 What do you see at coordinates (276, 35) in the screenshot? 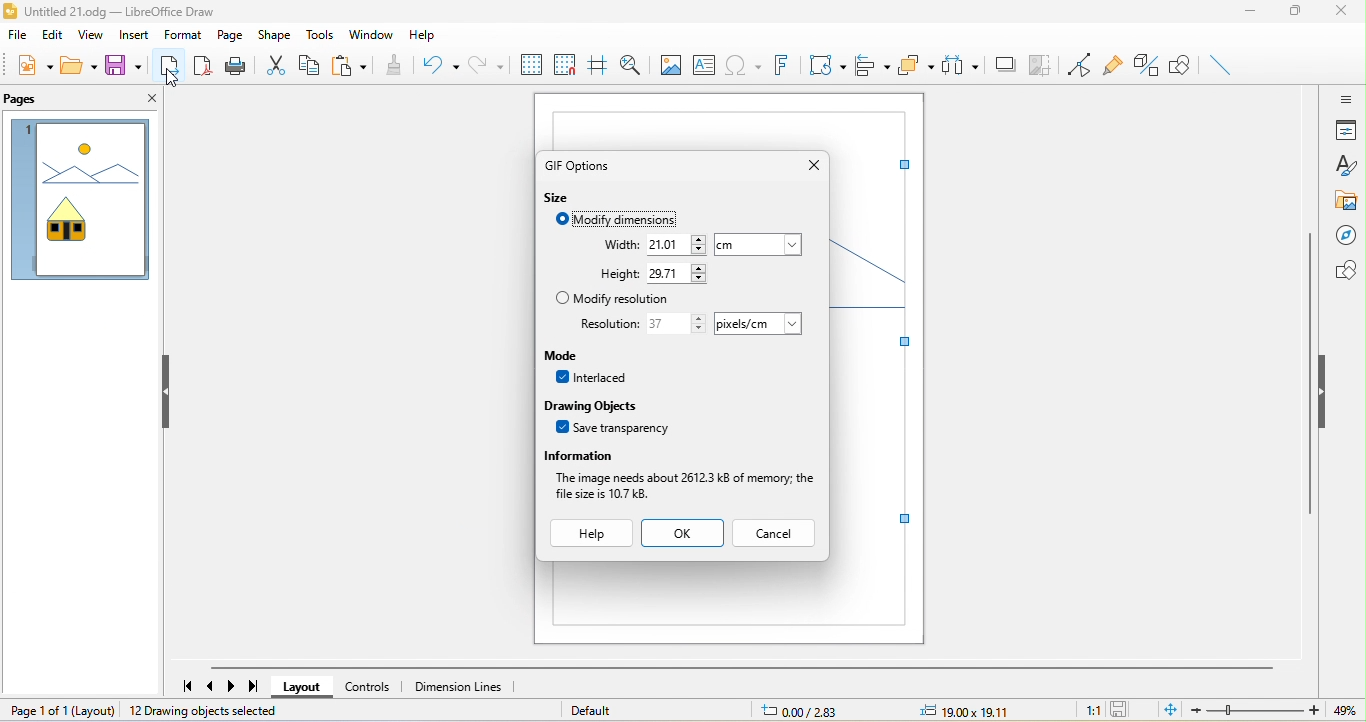
I see `shape` at bounding box center [276, 35].